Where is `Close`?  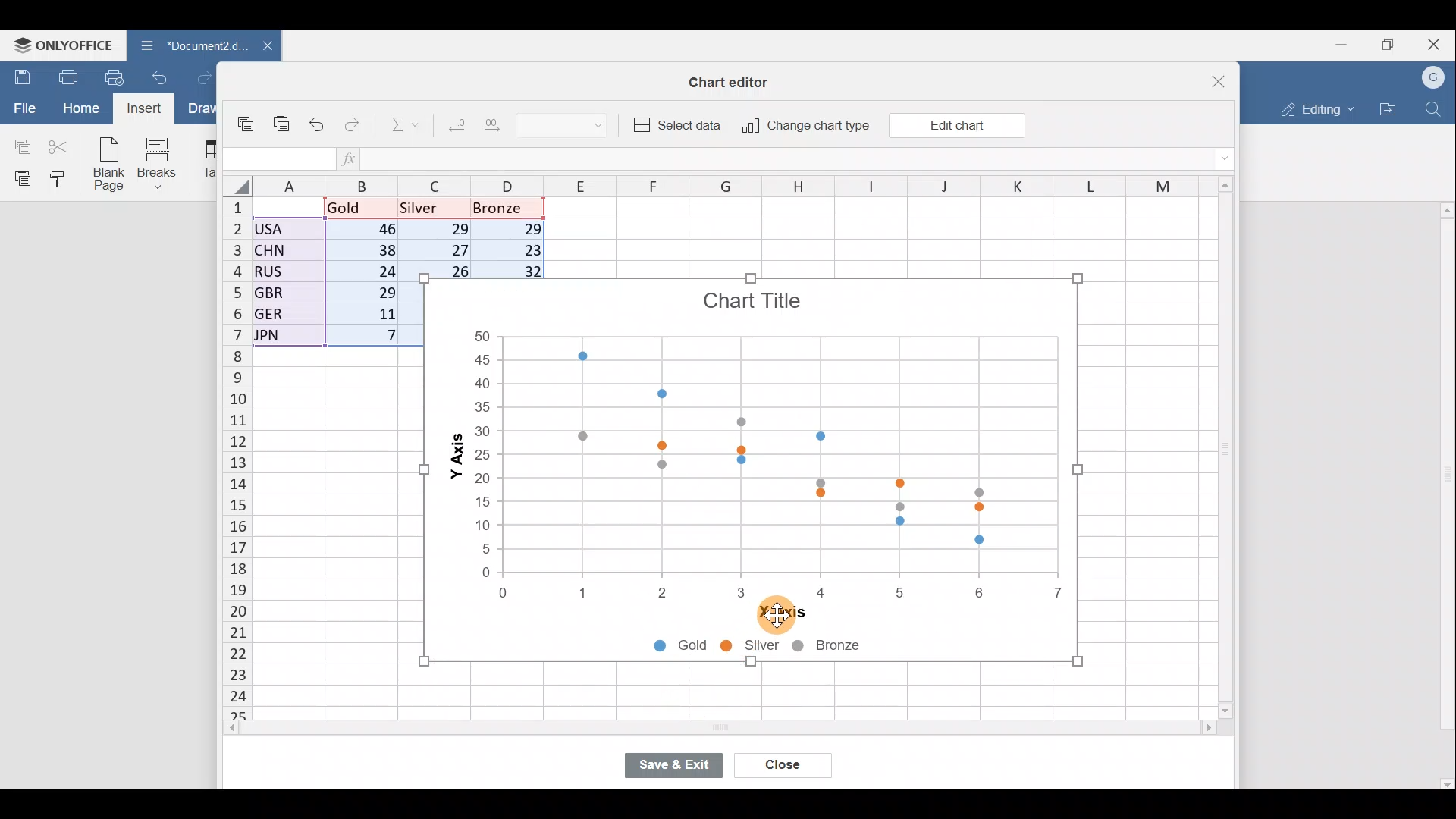 Close is located at coordinates (1436, 42).